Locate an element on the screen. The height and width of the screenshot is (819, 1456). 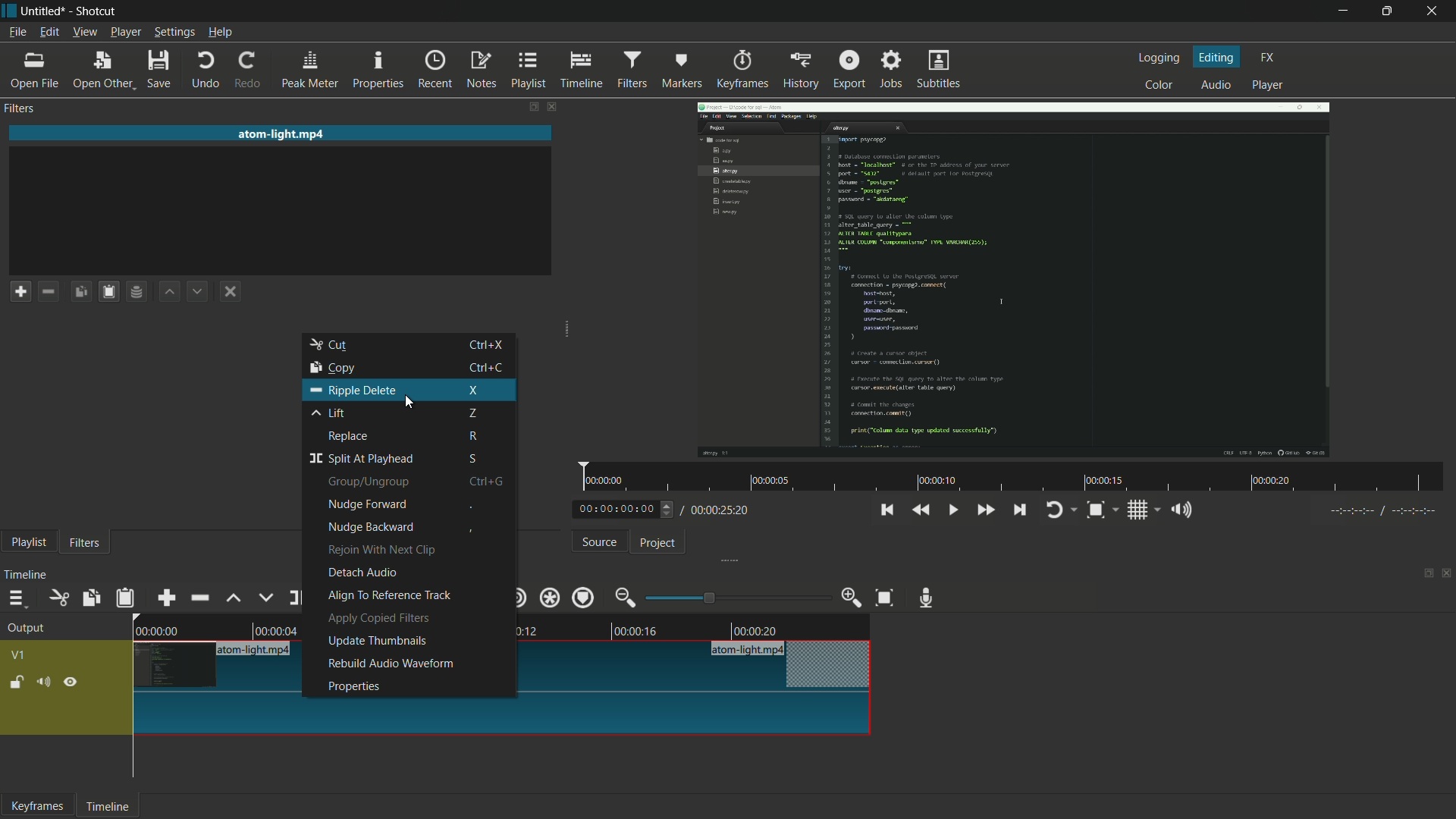
copy checked filters is located at coordinates (80, 290).